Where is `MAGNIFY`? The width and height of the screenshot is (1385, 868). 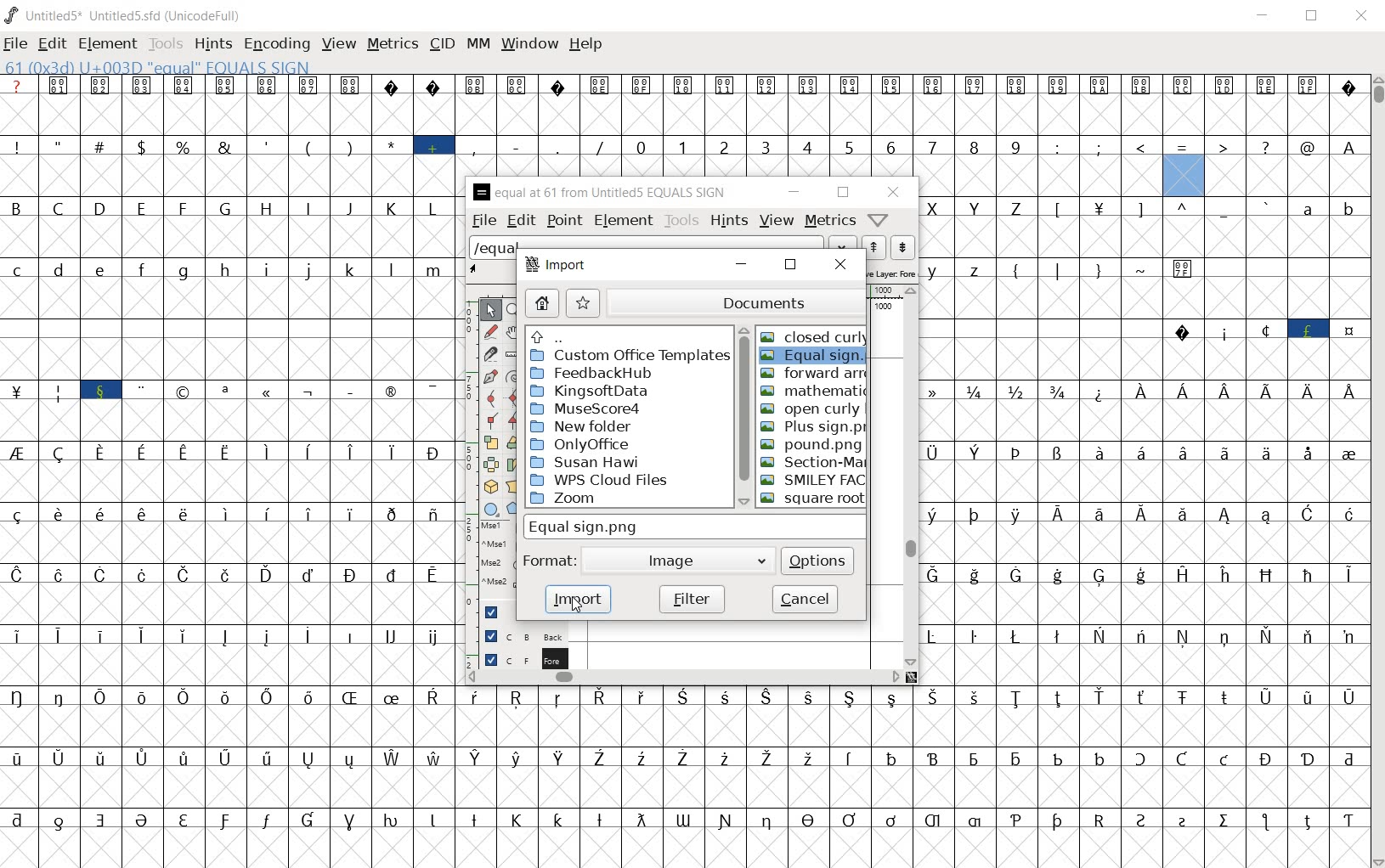 MAGNIFY is located at coordinates (513, 309).